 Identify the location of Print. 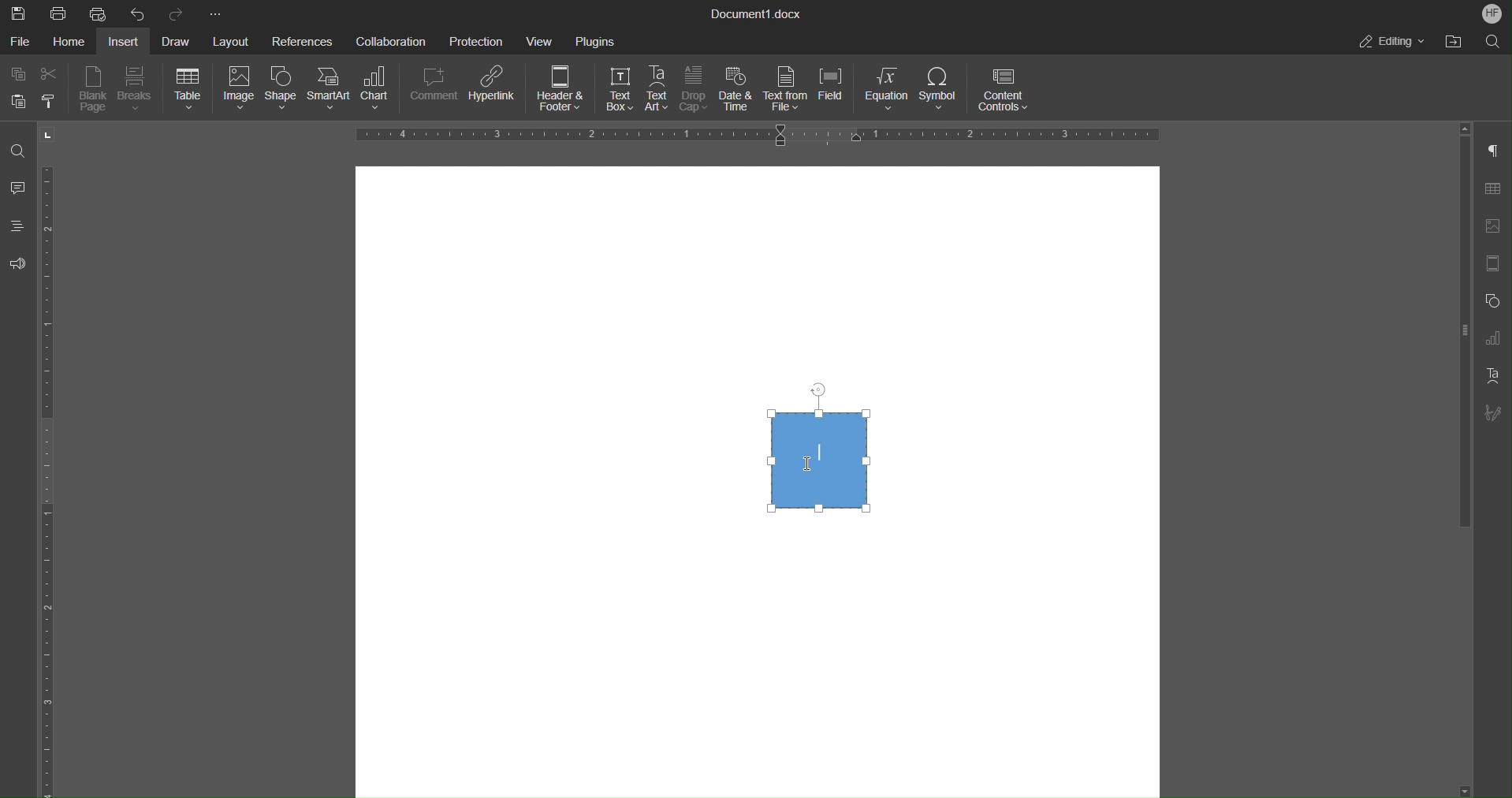
(59, 13).